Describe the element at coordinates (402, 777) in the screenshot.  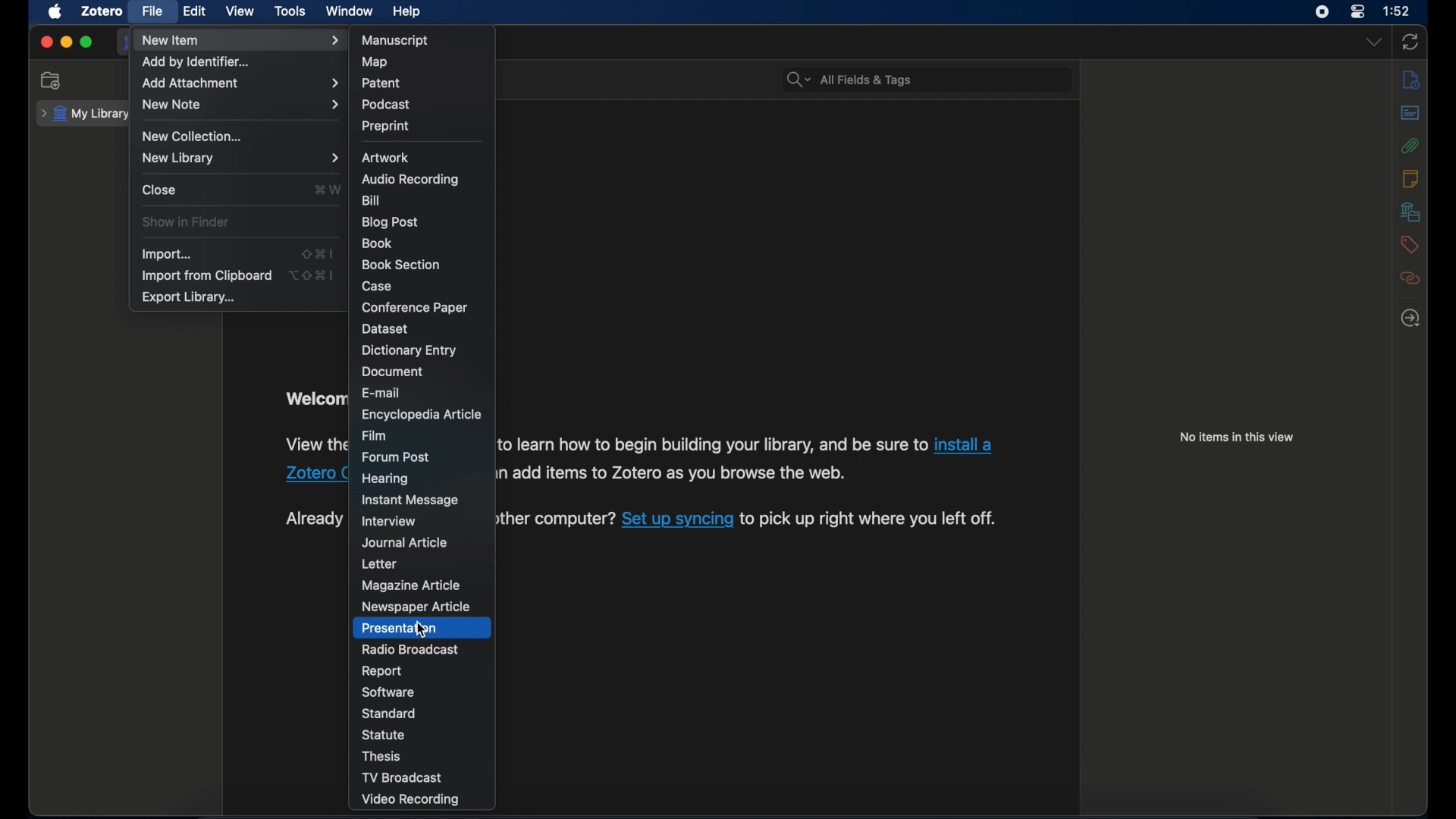
I see `tv broadcast` at that location.